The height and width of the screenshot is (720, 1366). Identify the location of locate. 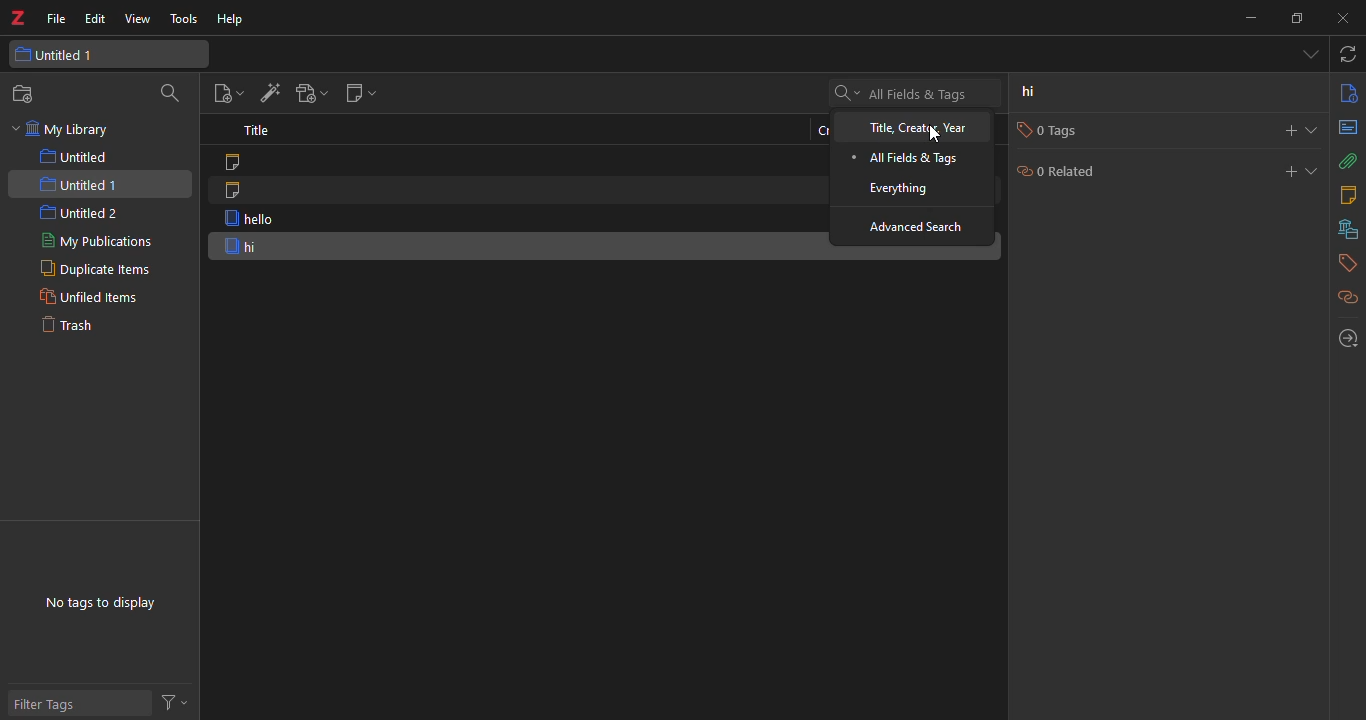
(1346, 337).